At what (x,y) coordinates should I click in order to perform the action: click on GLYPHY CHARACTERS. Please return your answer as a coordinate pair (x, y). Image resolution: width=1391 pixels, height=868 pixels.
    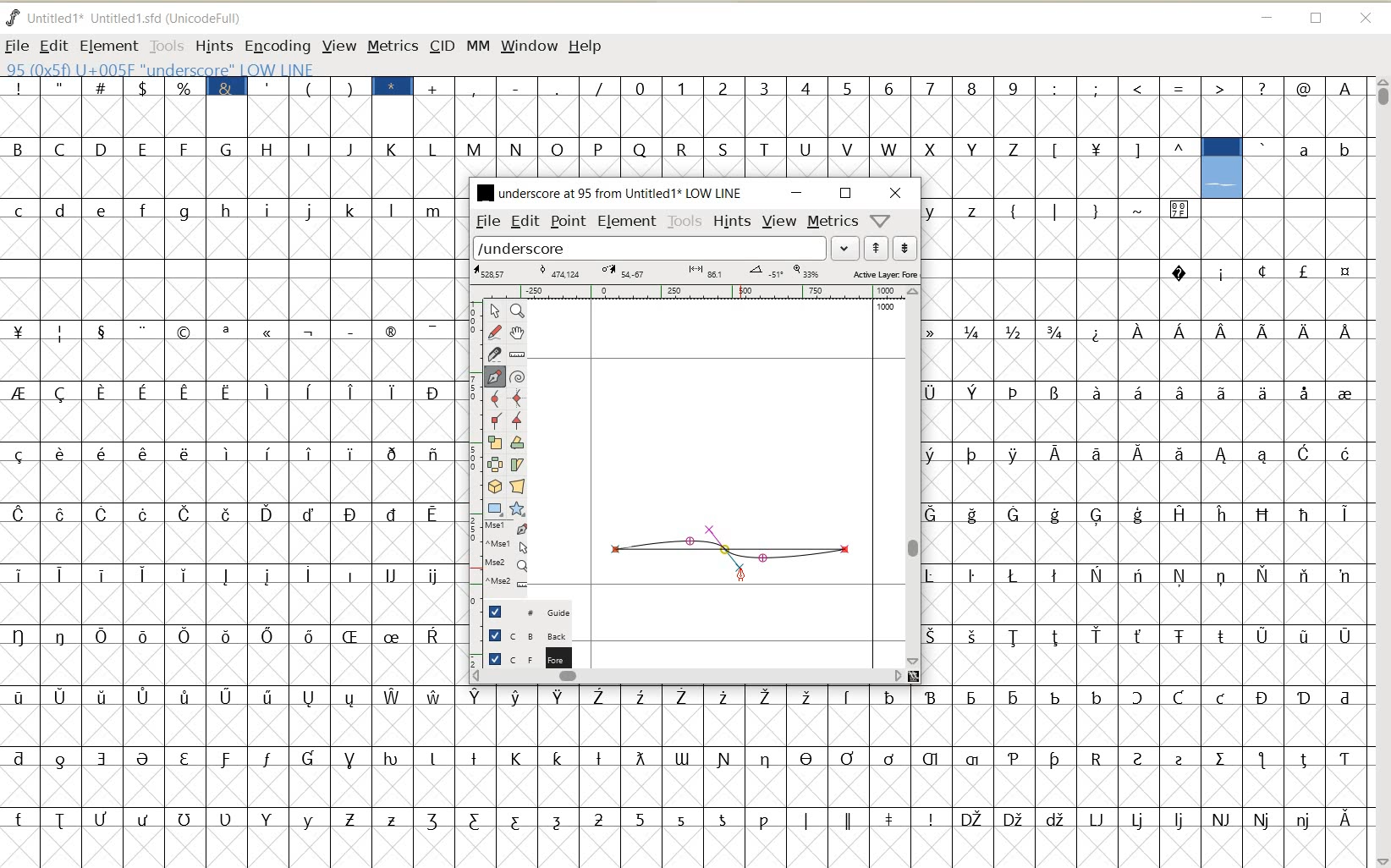
    Looking at the image, I should click on (689, 151).